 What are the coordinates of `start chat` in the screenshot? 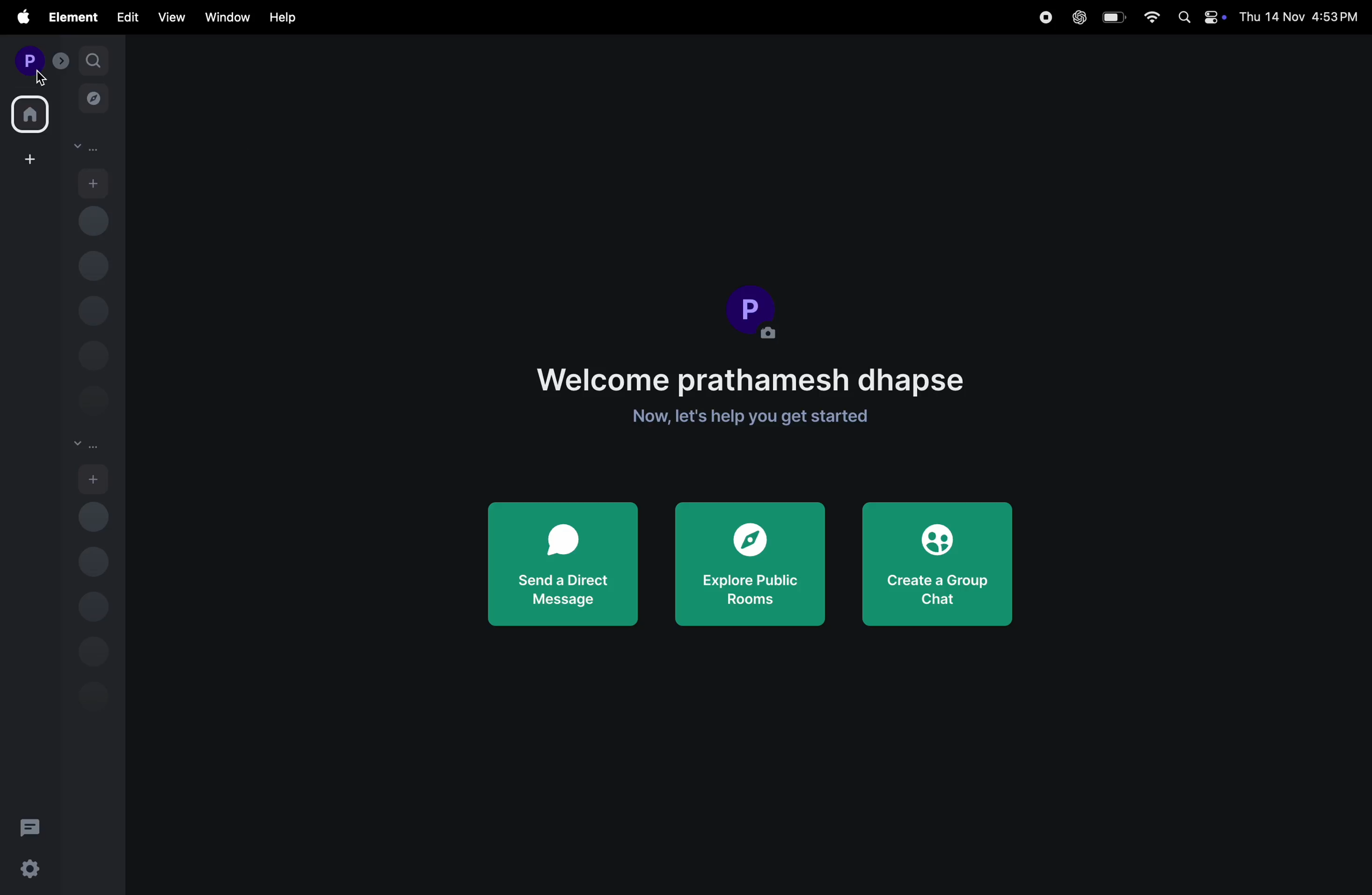 It's located at (94, 183).